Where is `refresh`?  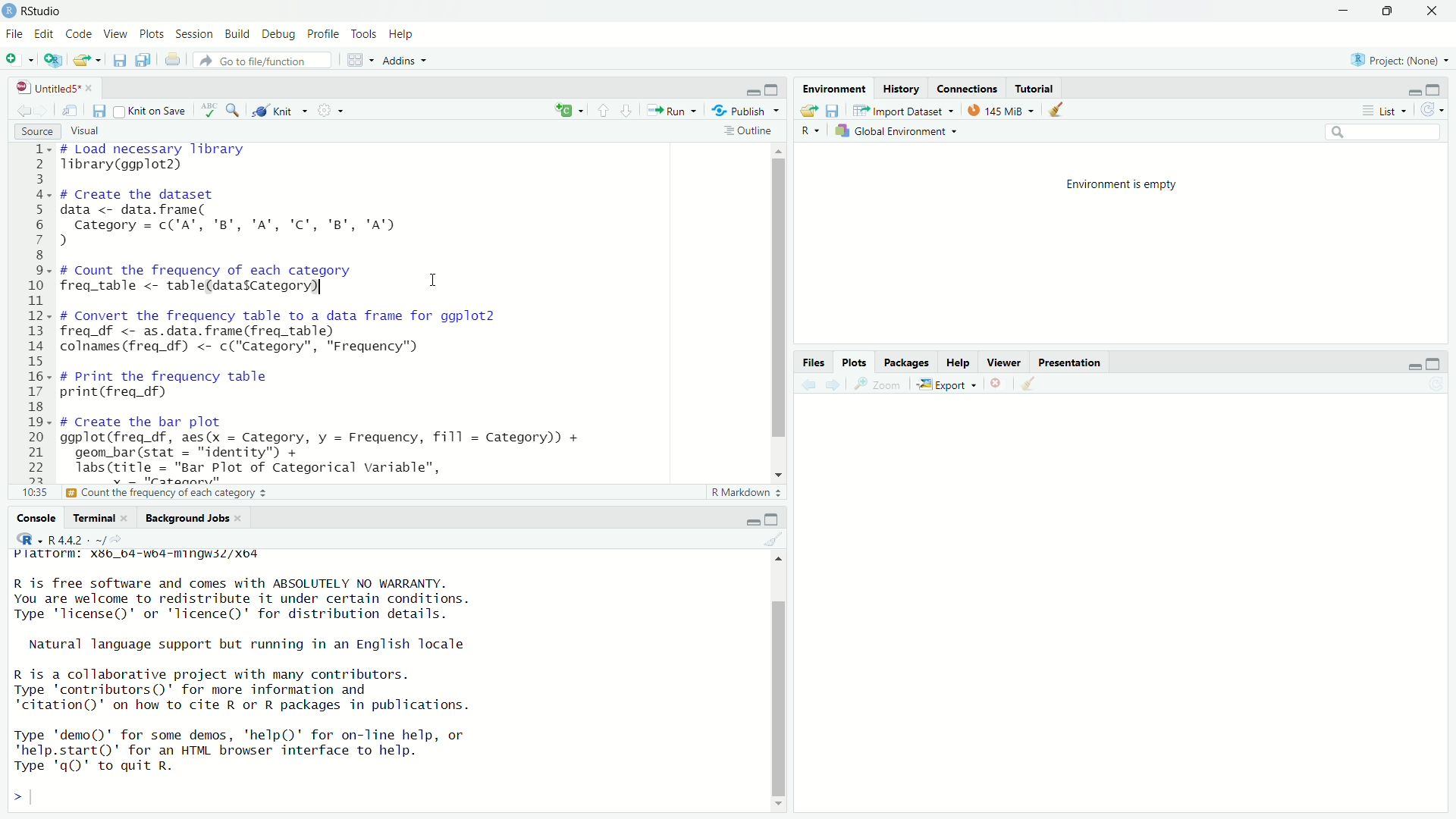 refresh is located at coordinates (1432, 110).